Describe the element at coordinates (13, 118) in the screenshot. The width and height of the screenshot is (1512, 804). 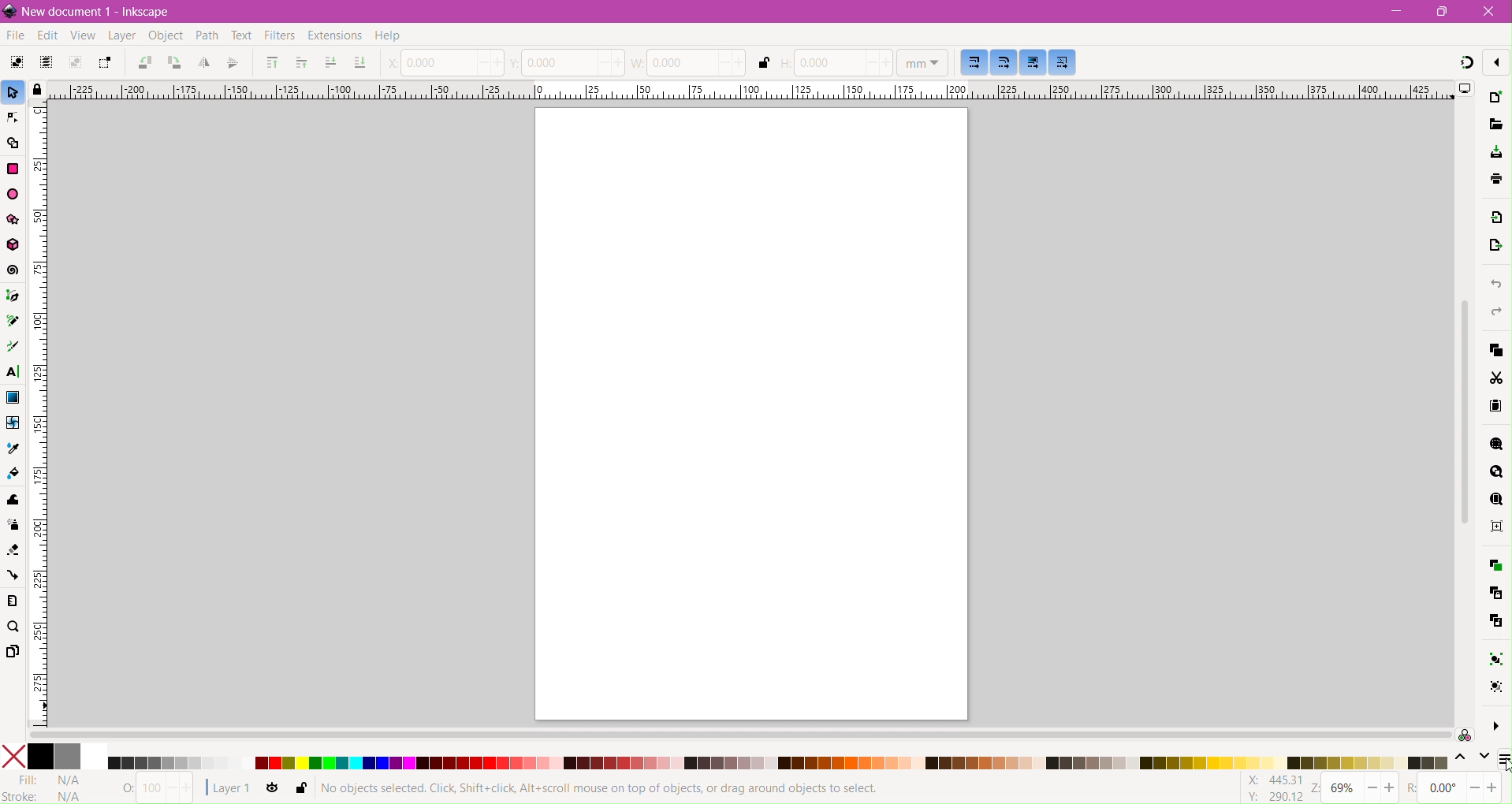
I see `Node Tool` at that location.